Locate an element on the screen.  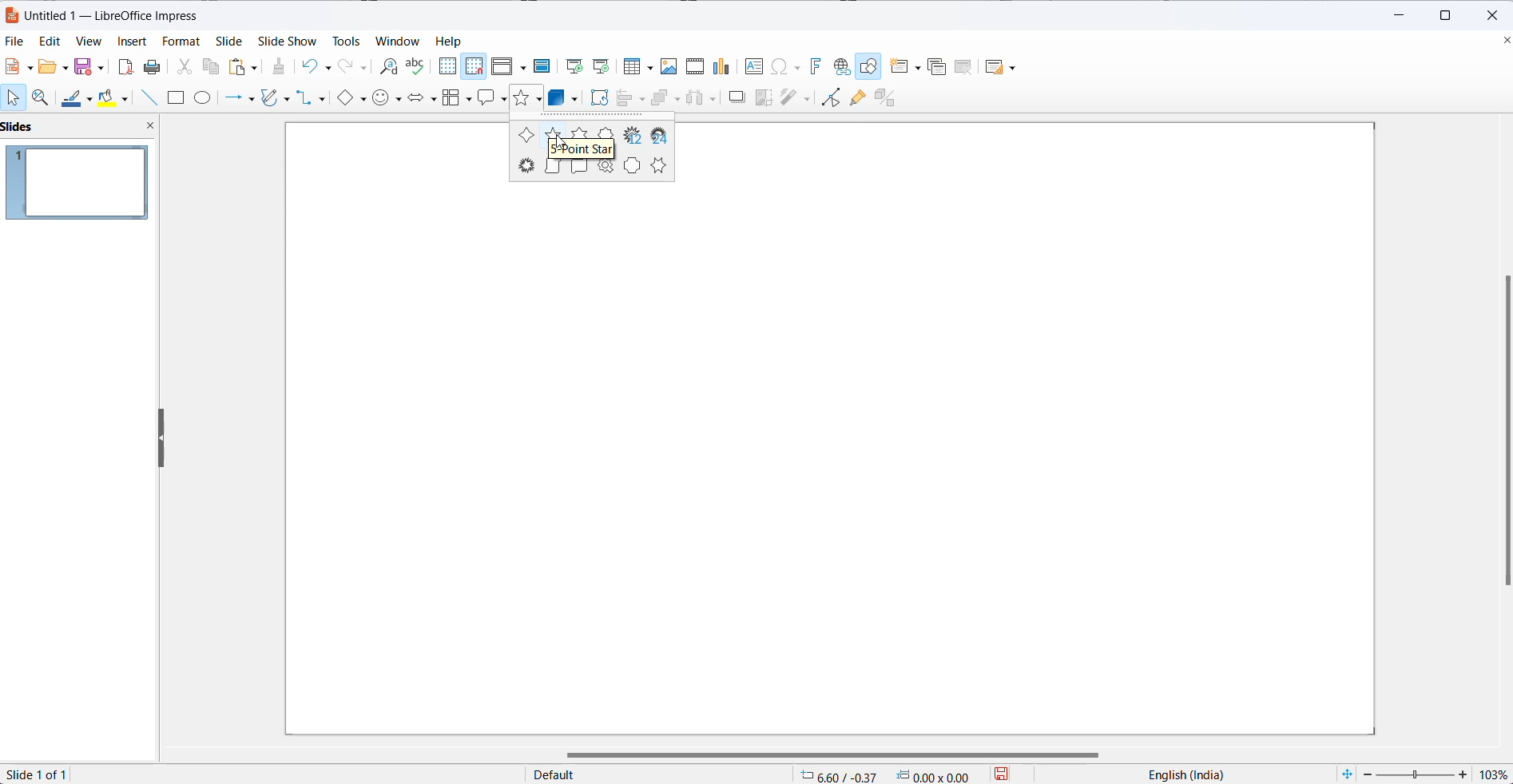
basic shapes is located at coordinates (354, 99).